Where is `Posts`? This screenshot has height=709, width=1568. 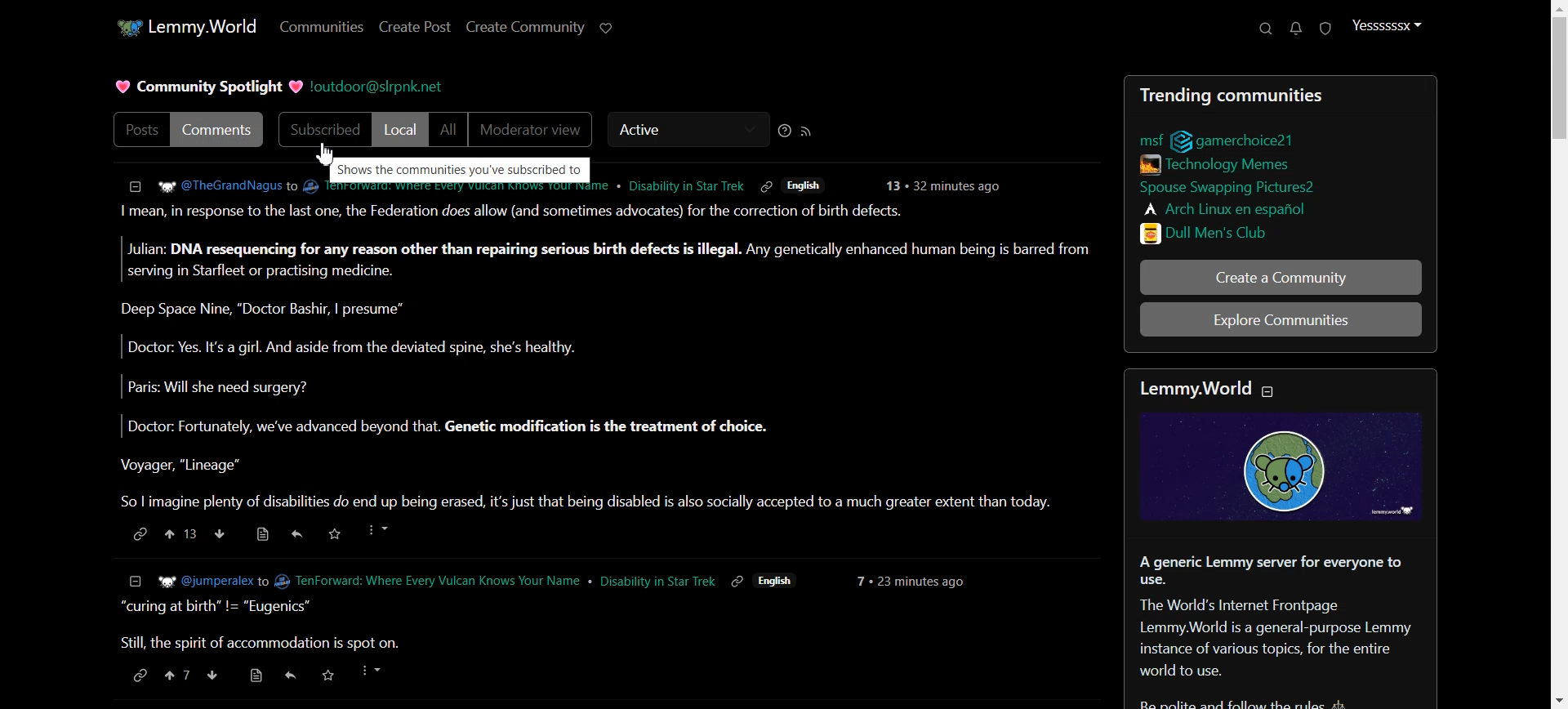 Posts is located at coordinates (603, 357).